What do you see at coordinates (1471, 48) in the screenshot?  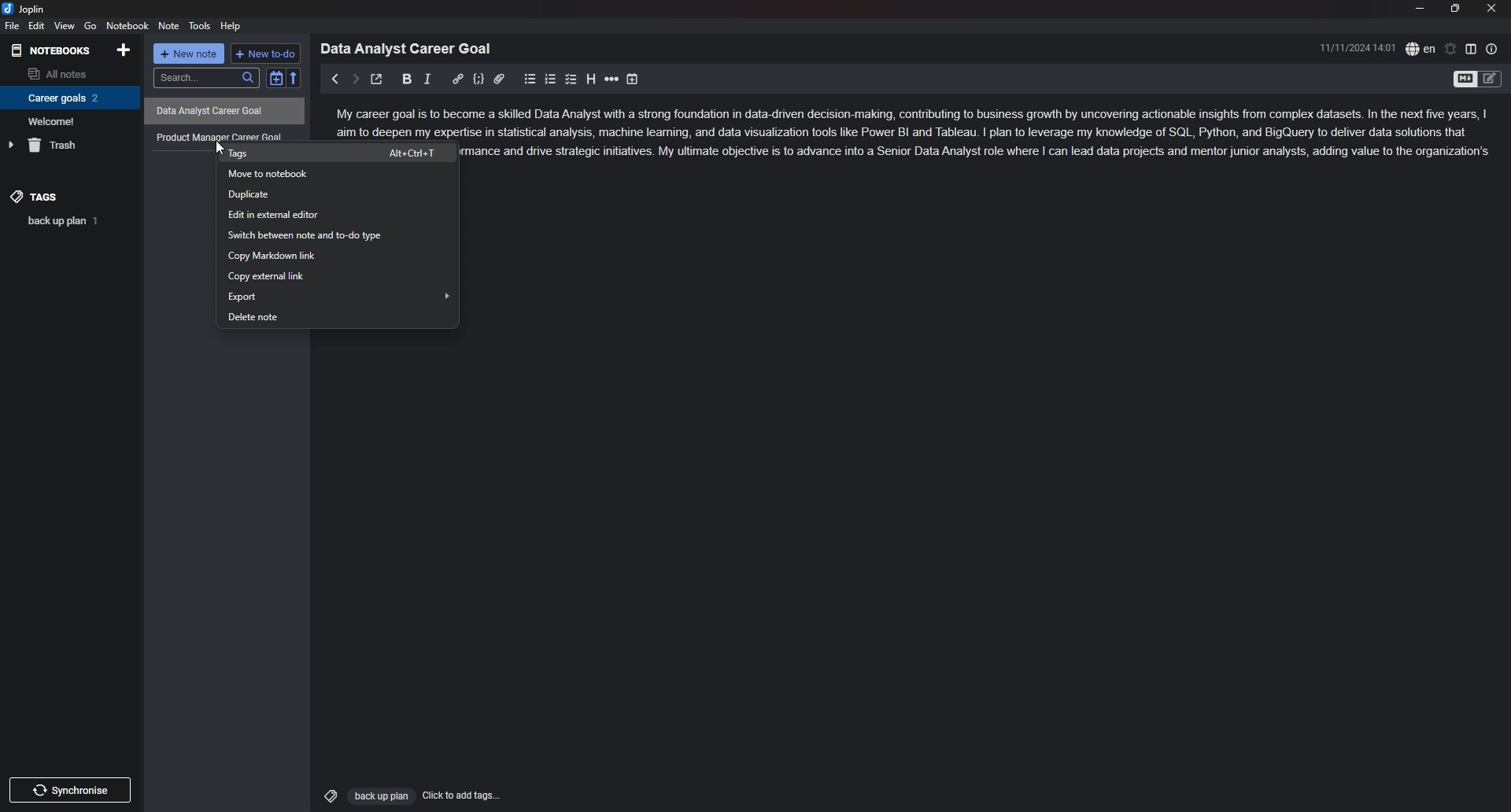 I see `toggle editor layout` at bounding box center [1471, 48].